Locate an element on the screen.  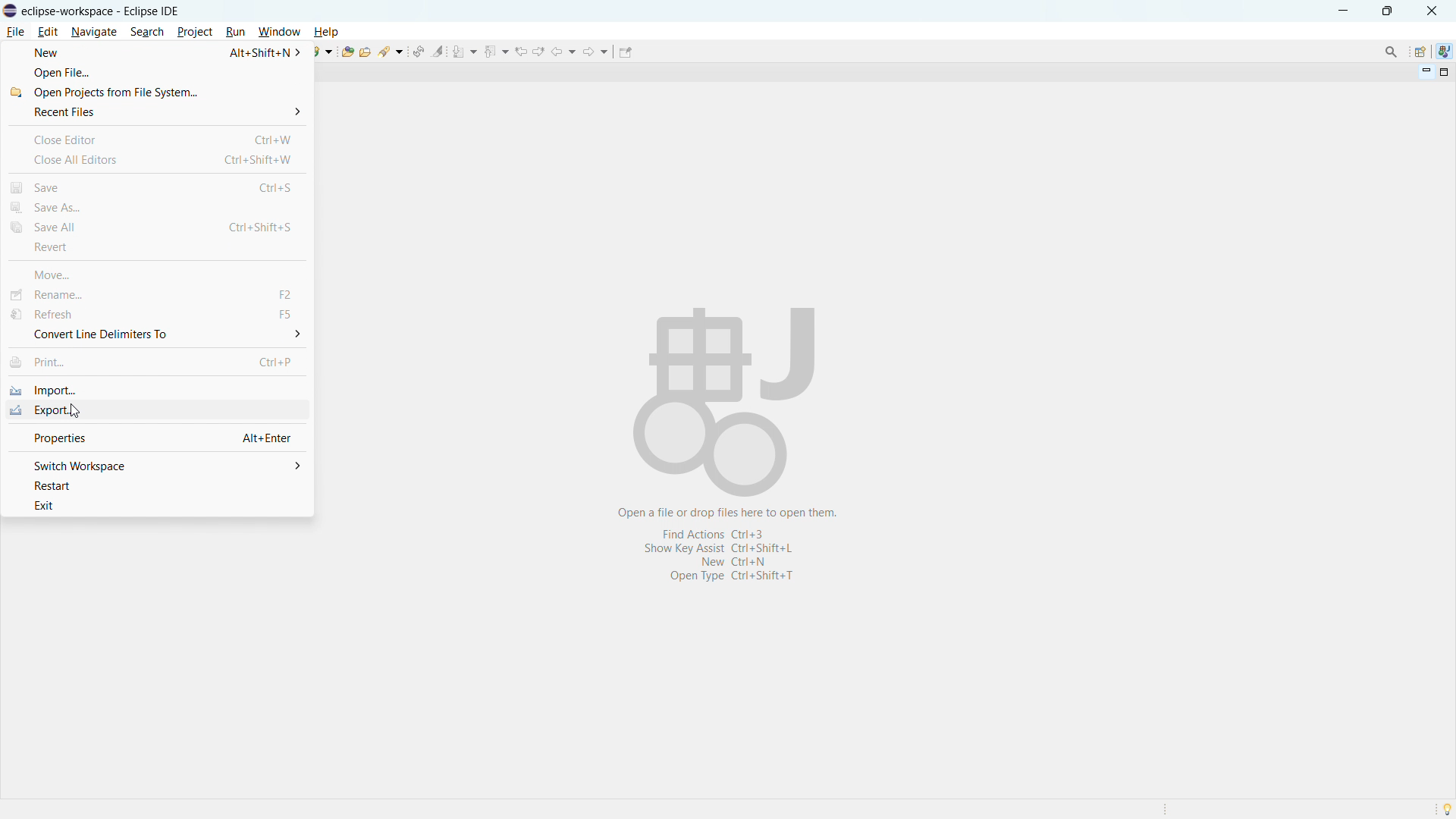
maximize view is located at coordinates (1445, 72).